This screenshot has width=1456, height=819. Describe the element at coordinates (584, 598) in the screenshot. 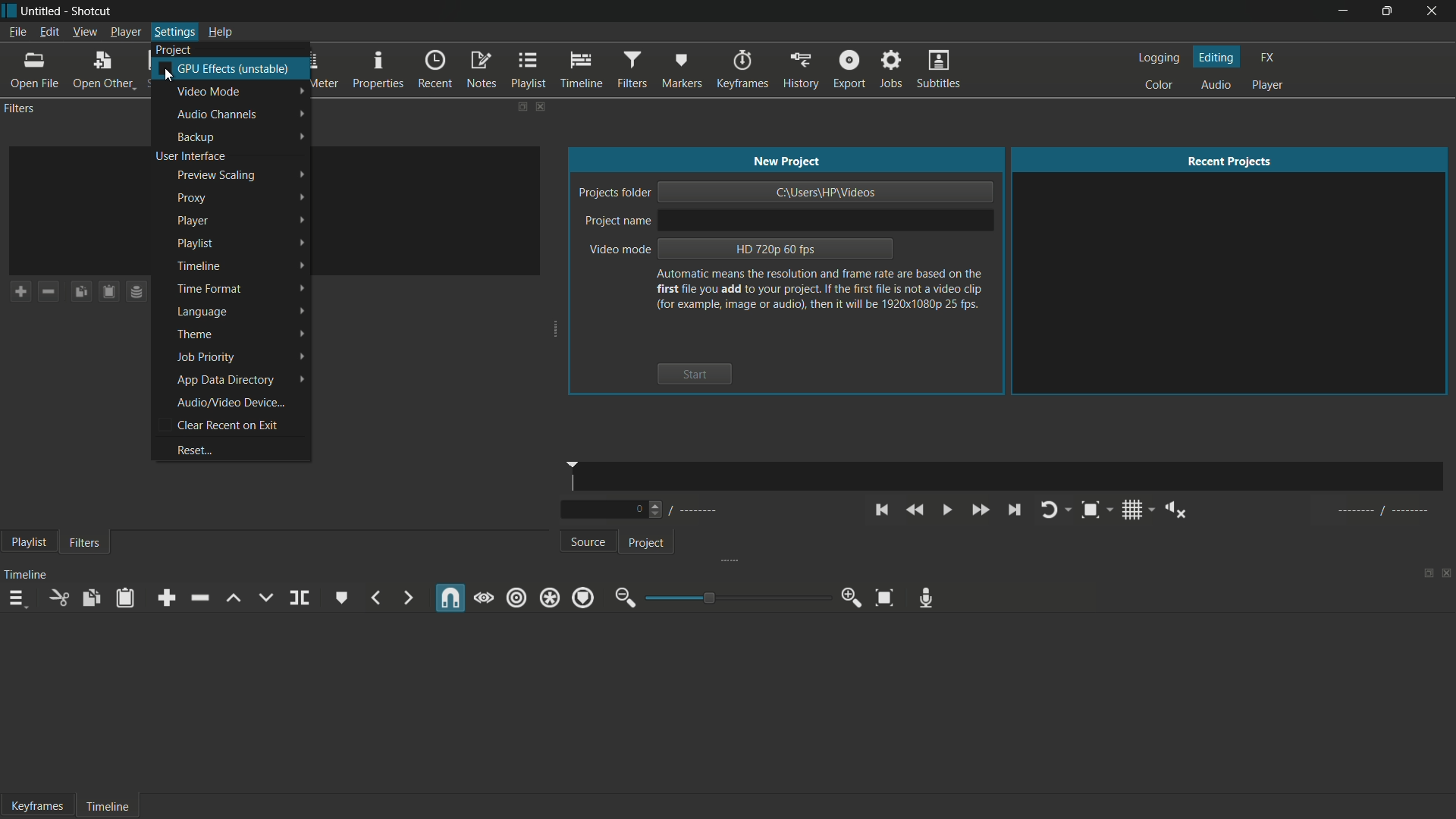

I see `ripple markers` at that location.